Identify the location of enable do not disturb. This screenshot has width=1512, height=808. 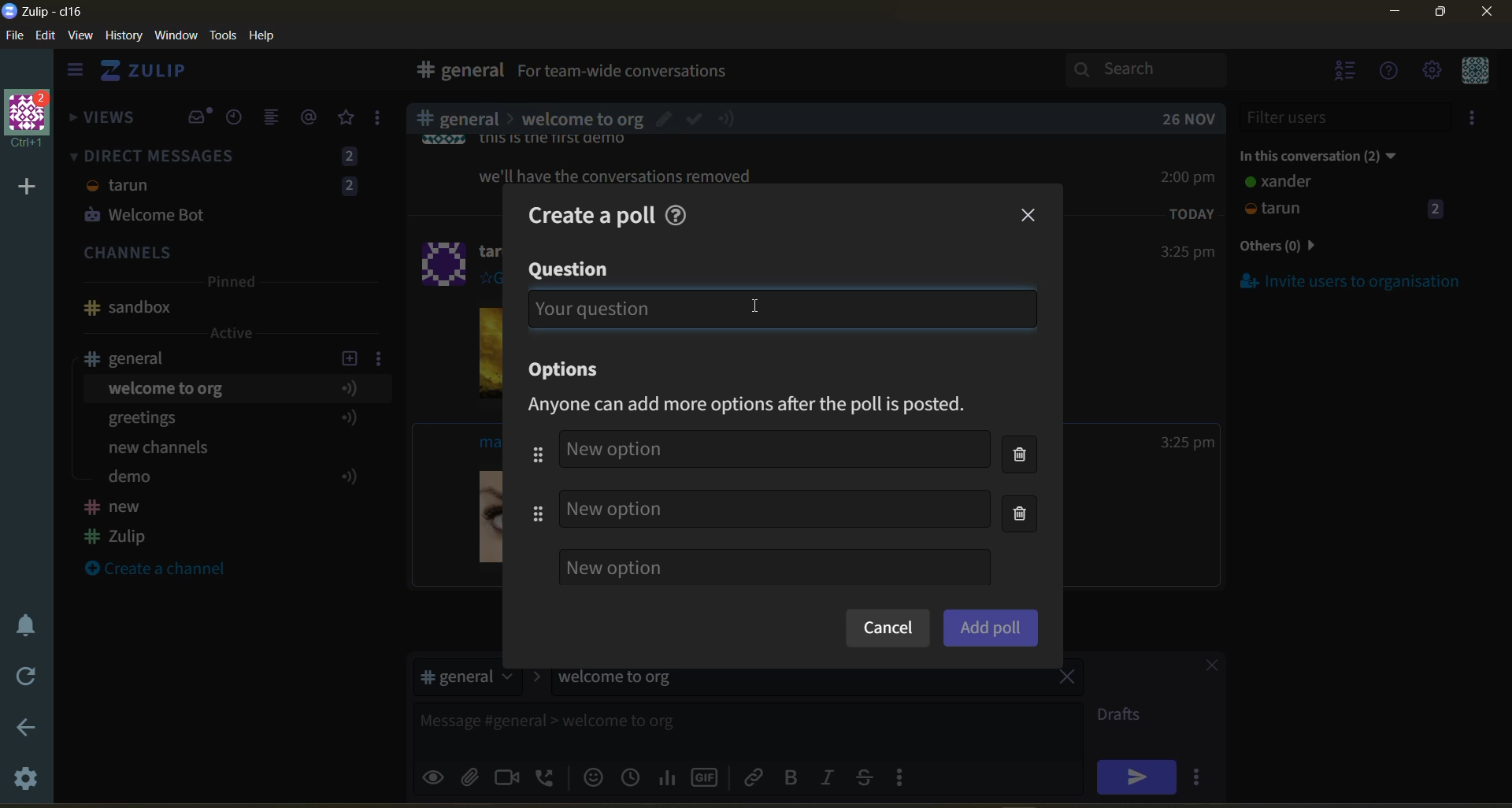
(22, 623).